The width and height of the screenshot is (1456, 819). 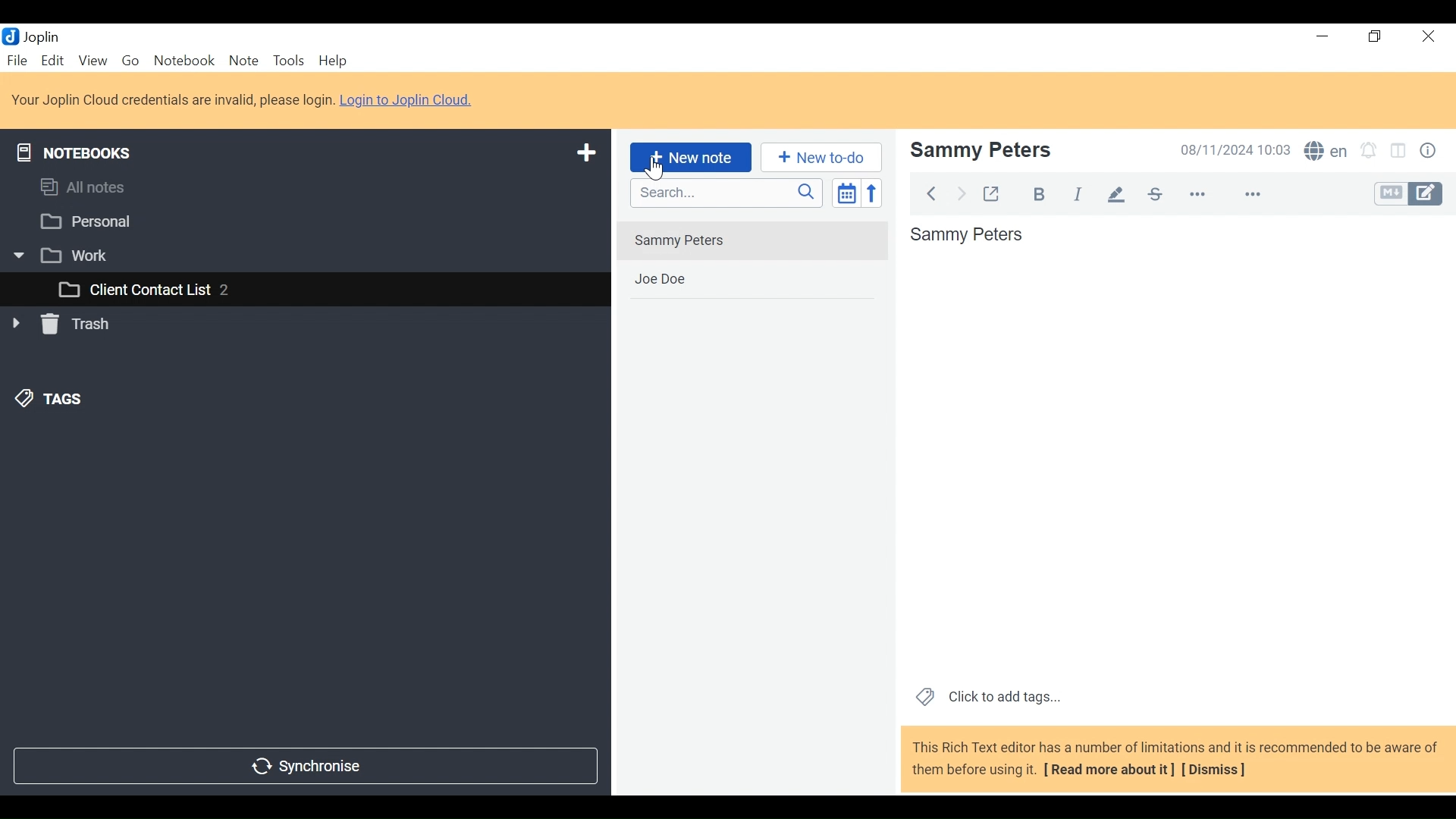 I want to click on Notebook, so click(x=183, y=61).